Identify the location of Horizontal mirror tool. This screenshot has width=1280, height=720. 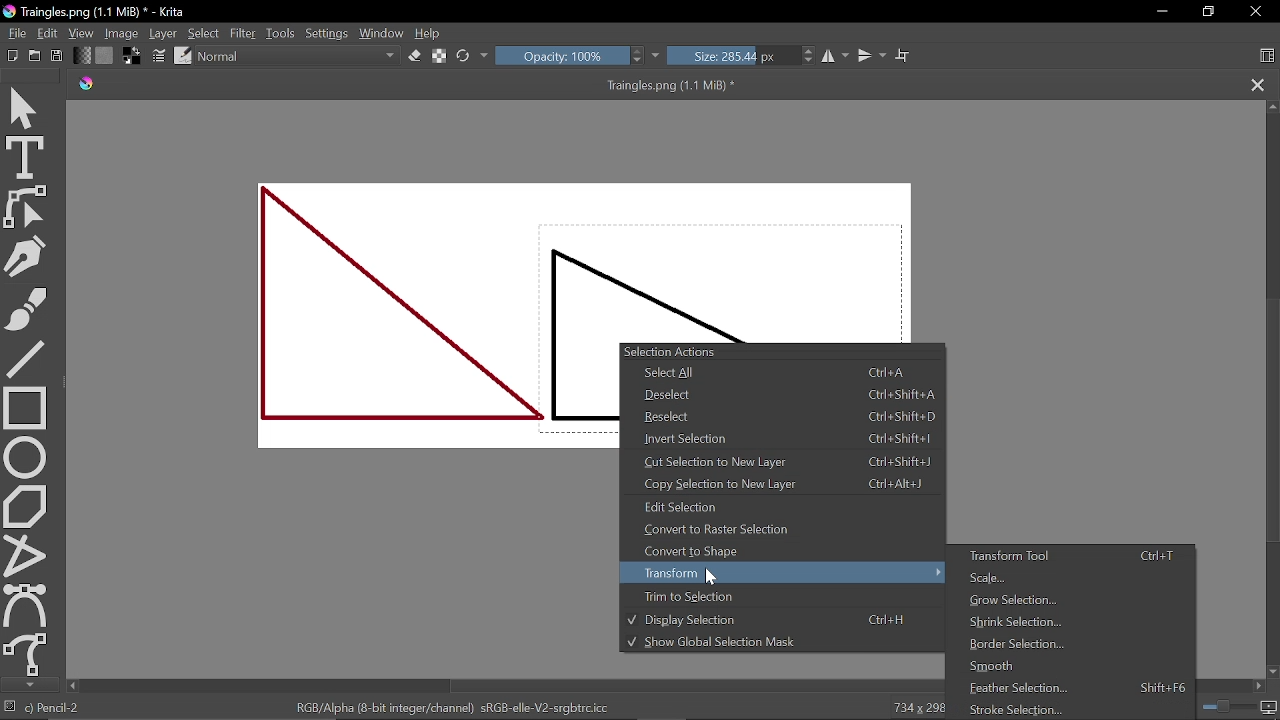
(836, 57).